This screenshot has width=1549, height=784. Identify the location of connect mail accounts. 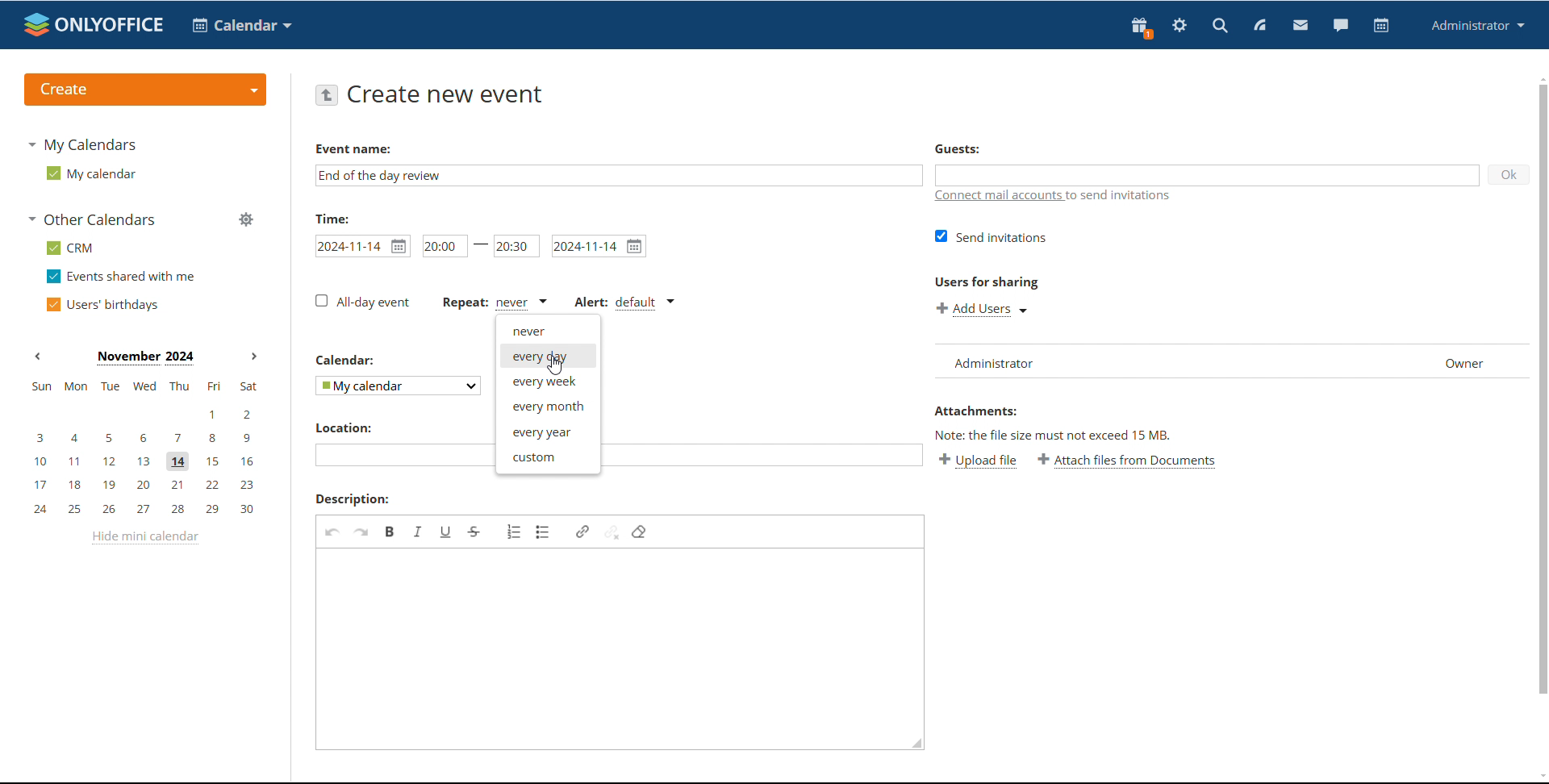
(1054, 197).